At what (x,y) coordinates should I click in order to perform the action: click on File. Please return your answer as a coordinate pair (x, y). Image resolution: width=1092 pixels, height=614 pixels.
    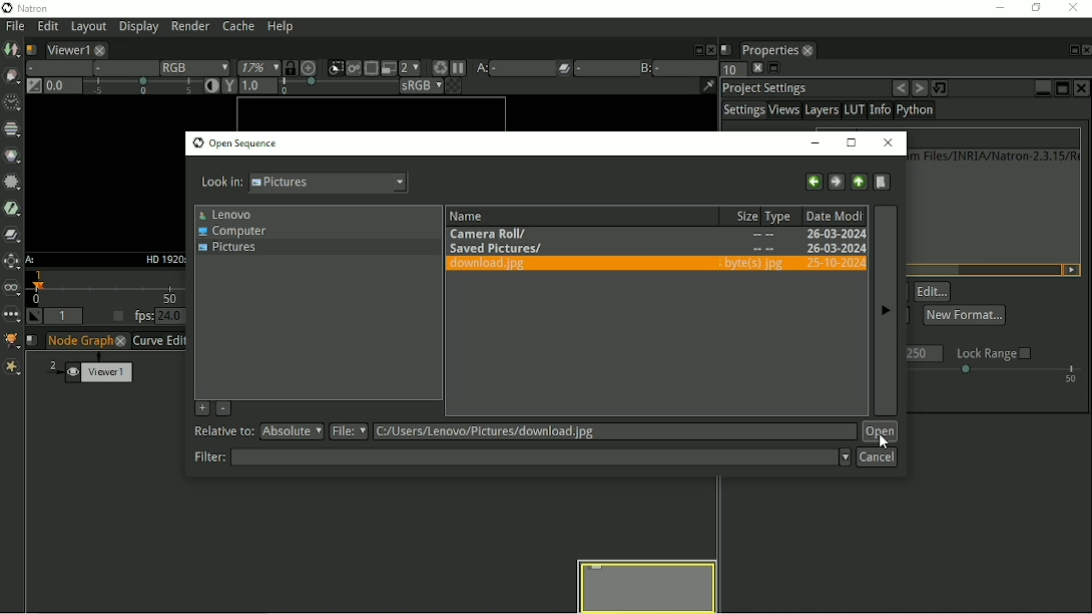
    Looking at the image, I should click on (13, 26).